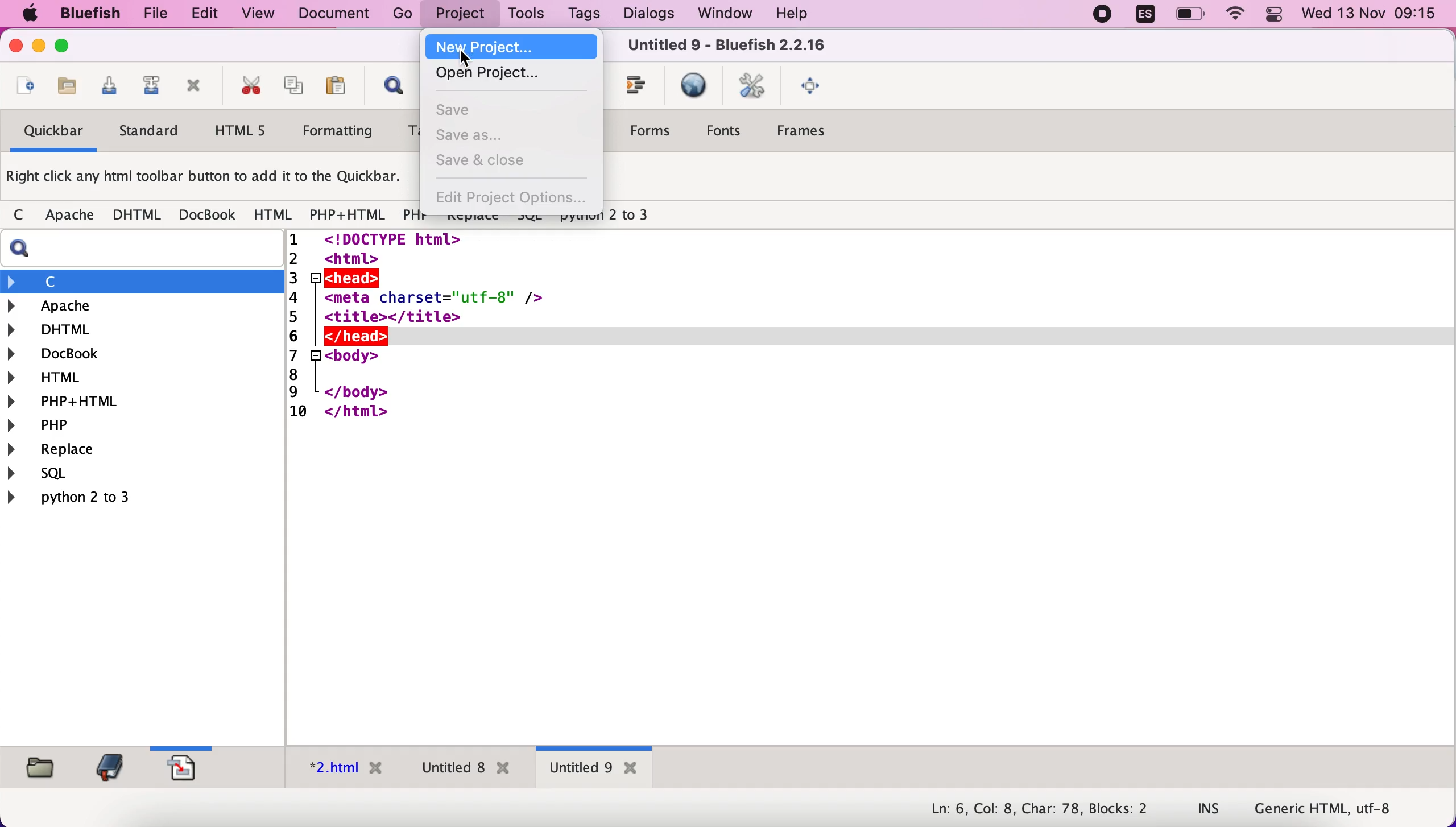 Image resolution: width=1456 pixels, height=827 pixels. Describe the element at coordinates (190, 86) in the screenshot. I see `` at that location.